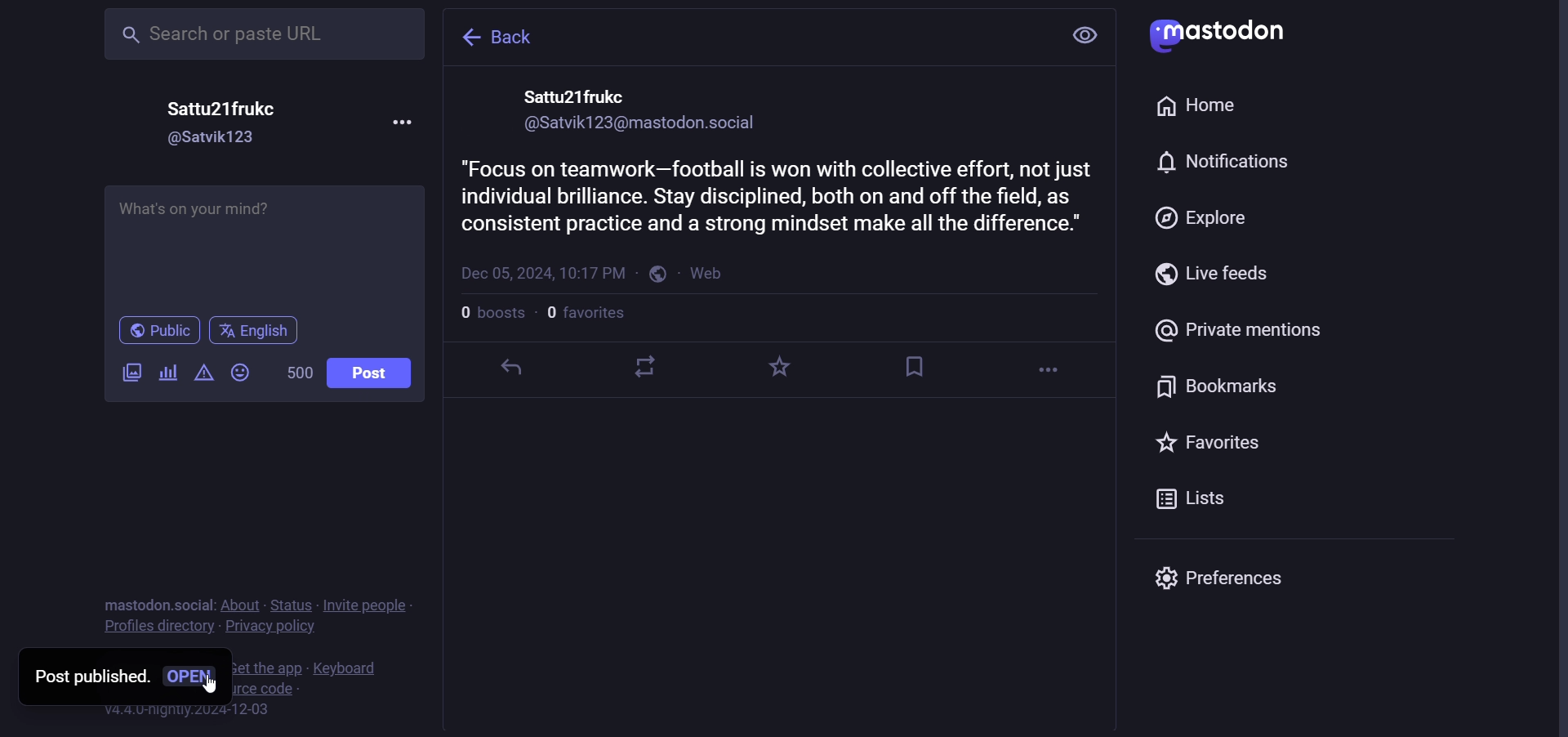 The image size is (1568, 737). I want to click on status, so click(290, 603).